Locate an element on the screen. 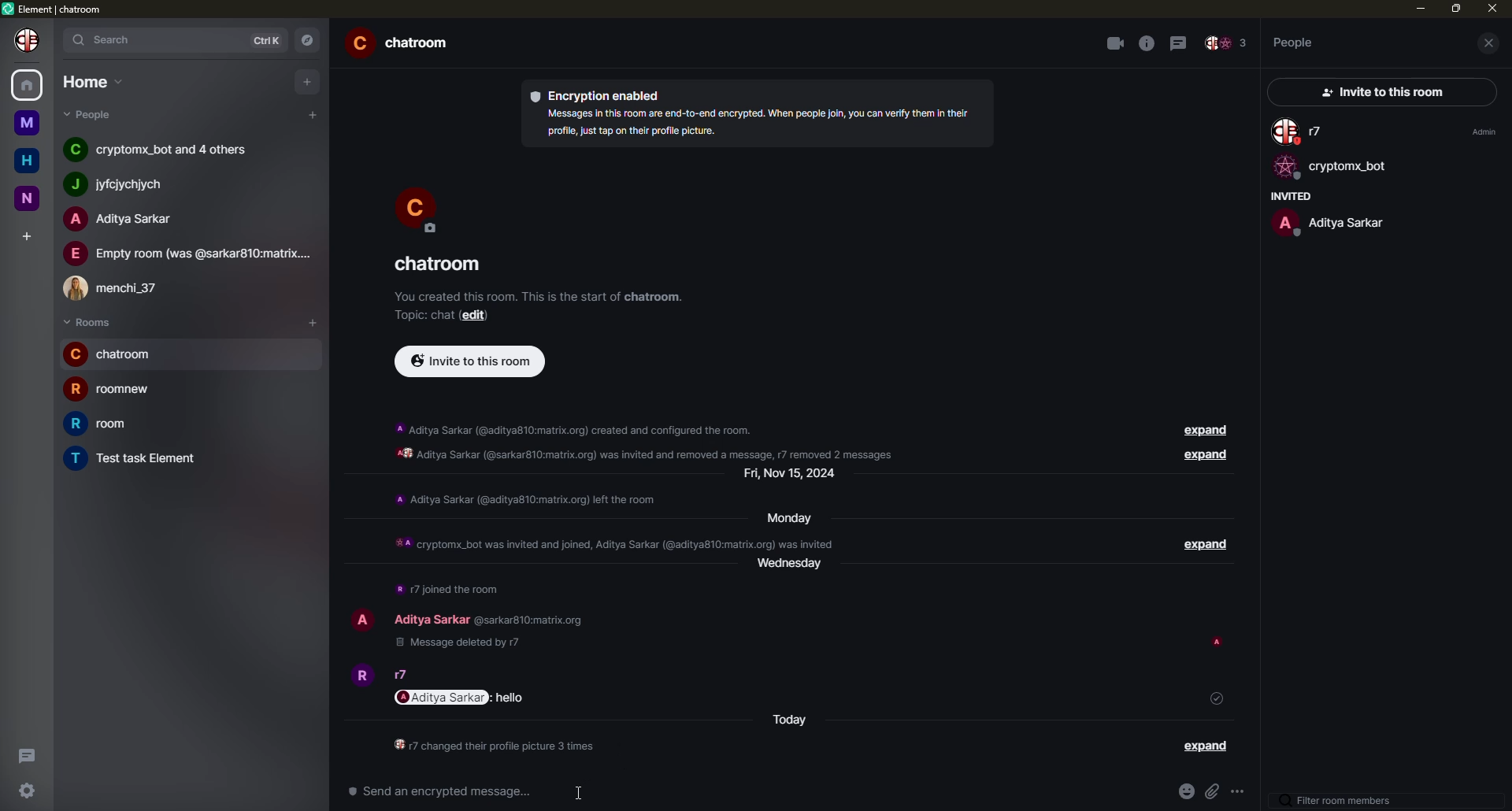 The height and width of the screenshot is (811, 1512). add is located at coordinates (313, 114).